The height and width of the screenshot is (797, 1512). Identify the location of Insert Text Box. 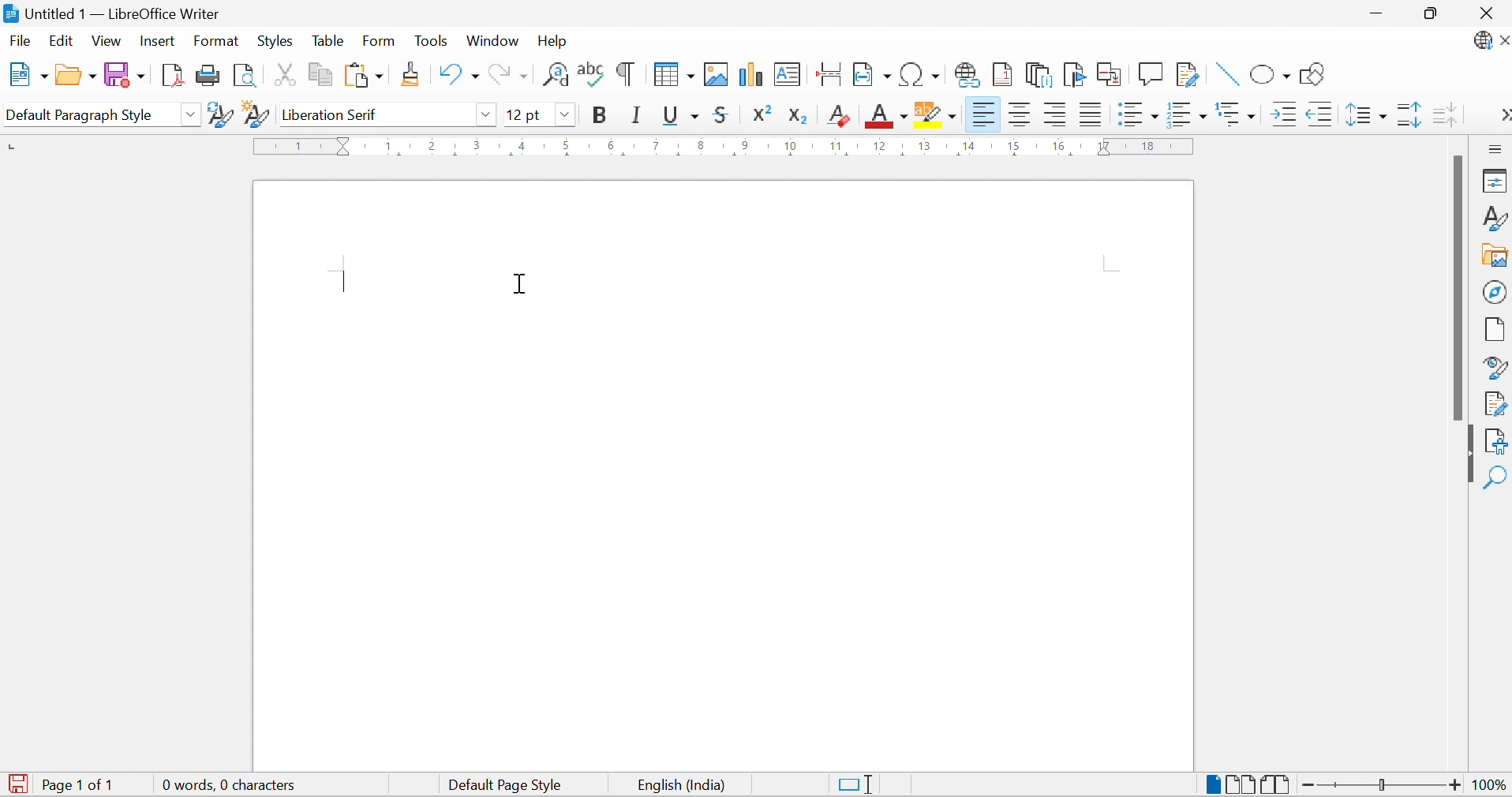
(788, 73).